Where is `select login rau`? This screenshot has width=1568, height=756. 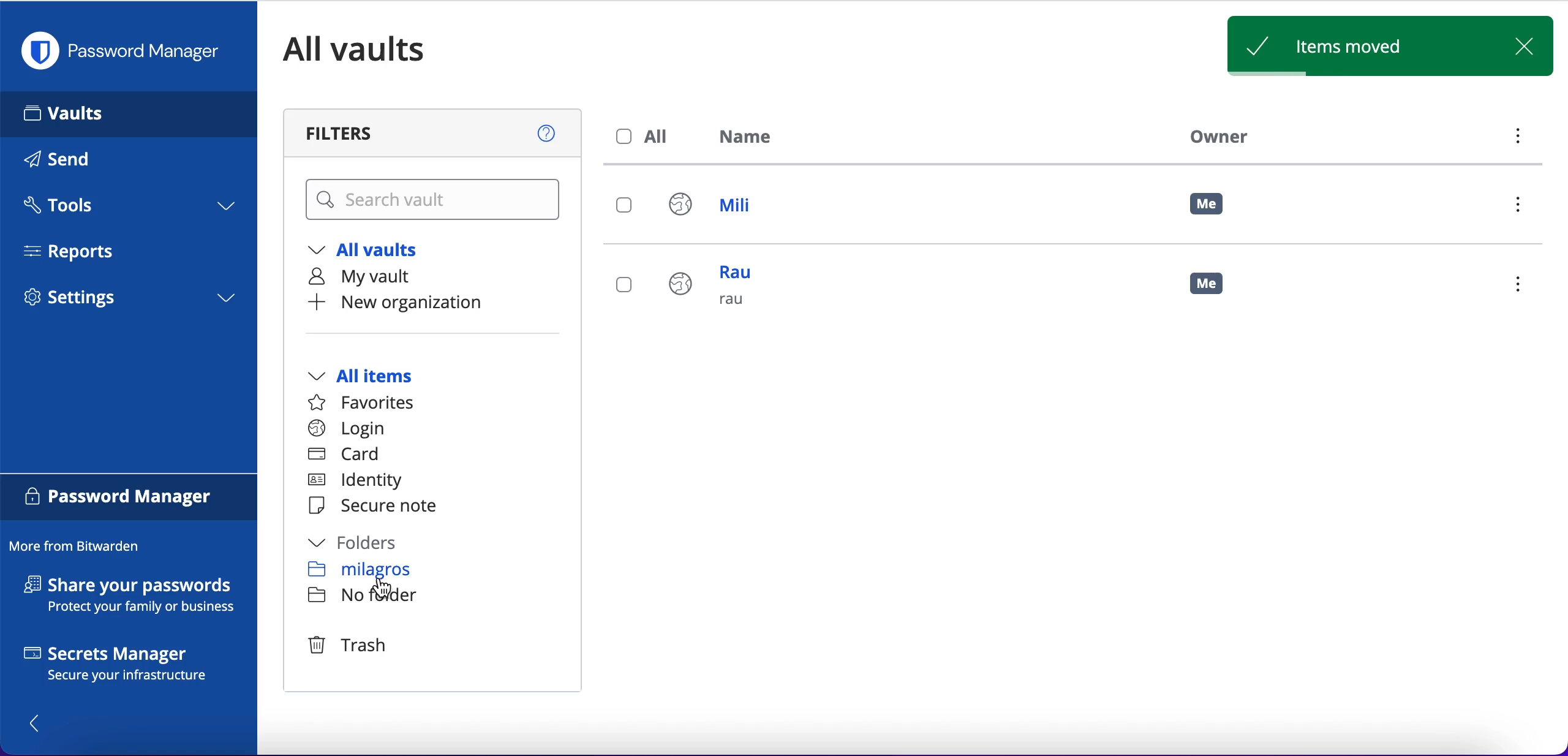 select login rau is located at coordinates (622, 285).